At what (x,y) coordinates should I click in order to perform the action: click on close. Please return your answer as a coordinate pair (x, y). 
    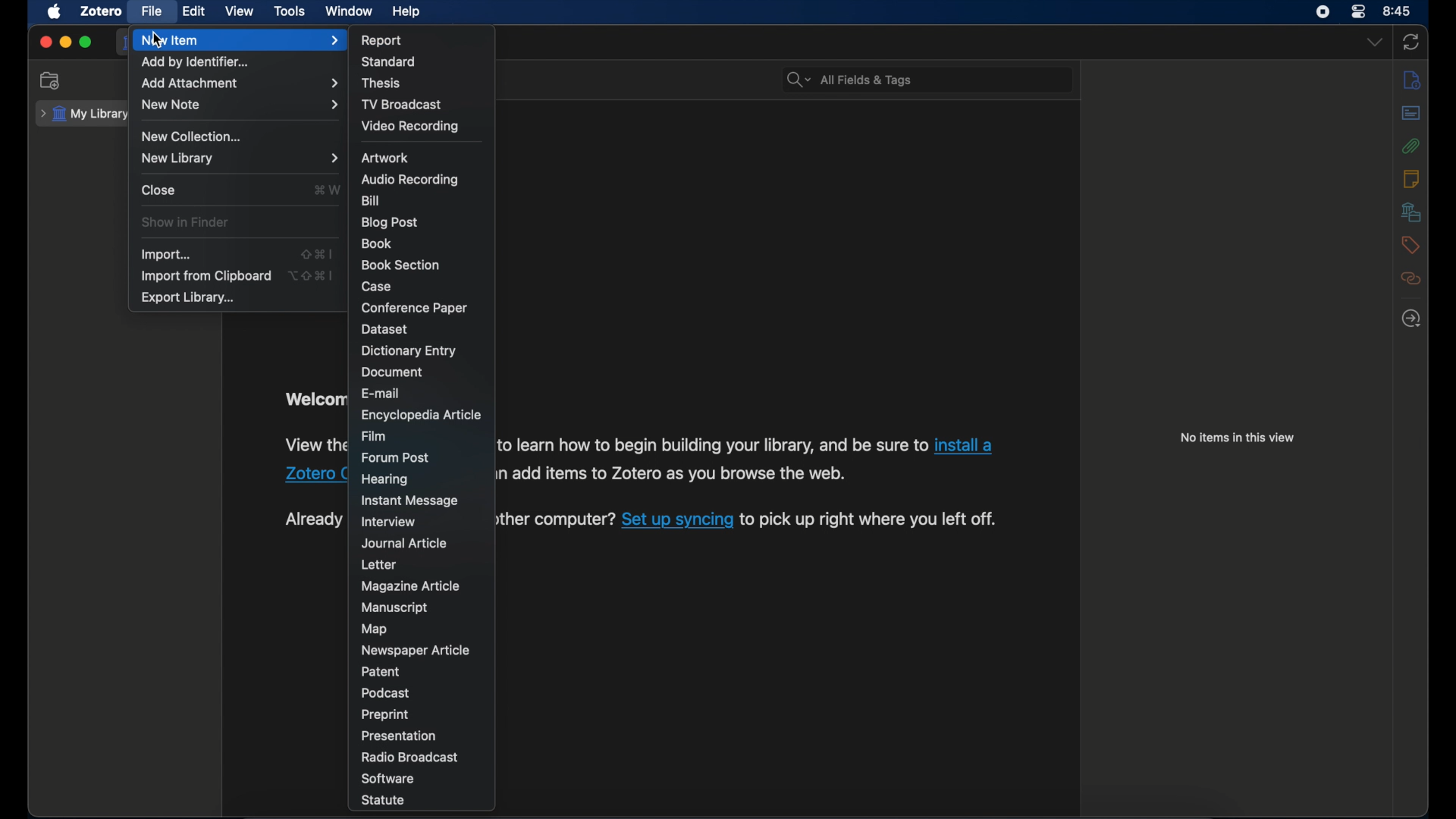
    Looking at the image, I should click on (159, 190).